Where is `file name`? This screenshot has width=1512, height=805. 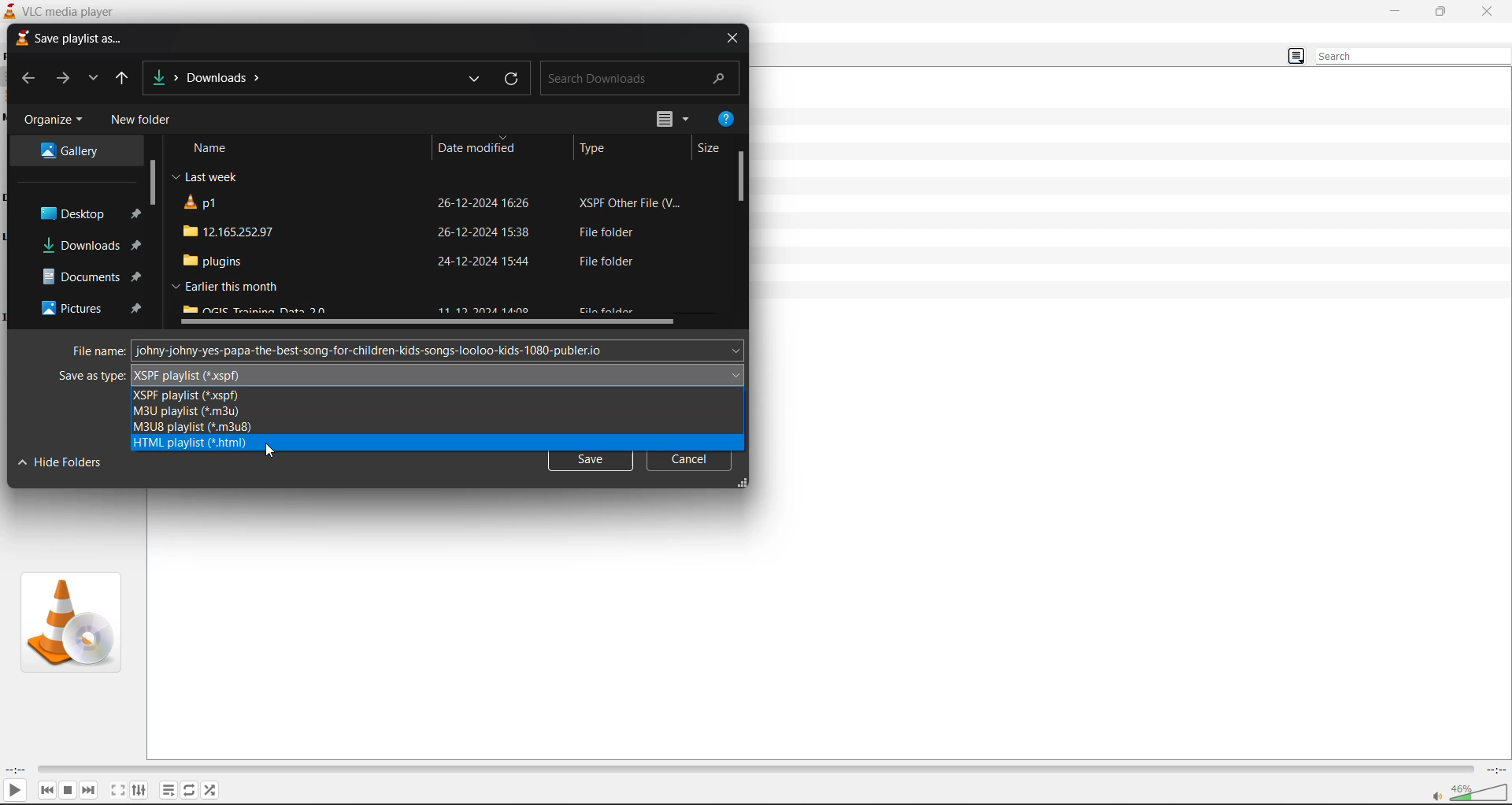 file name is located at coordinates (96, 351).